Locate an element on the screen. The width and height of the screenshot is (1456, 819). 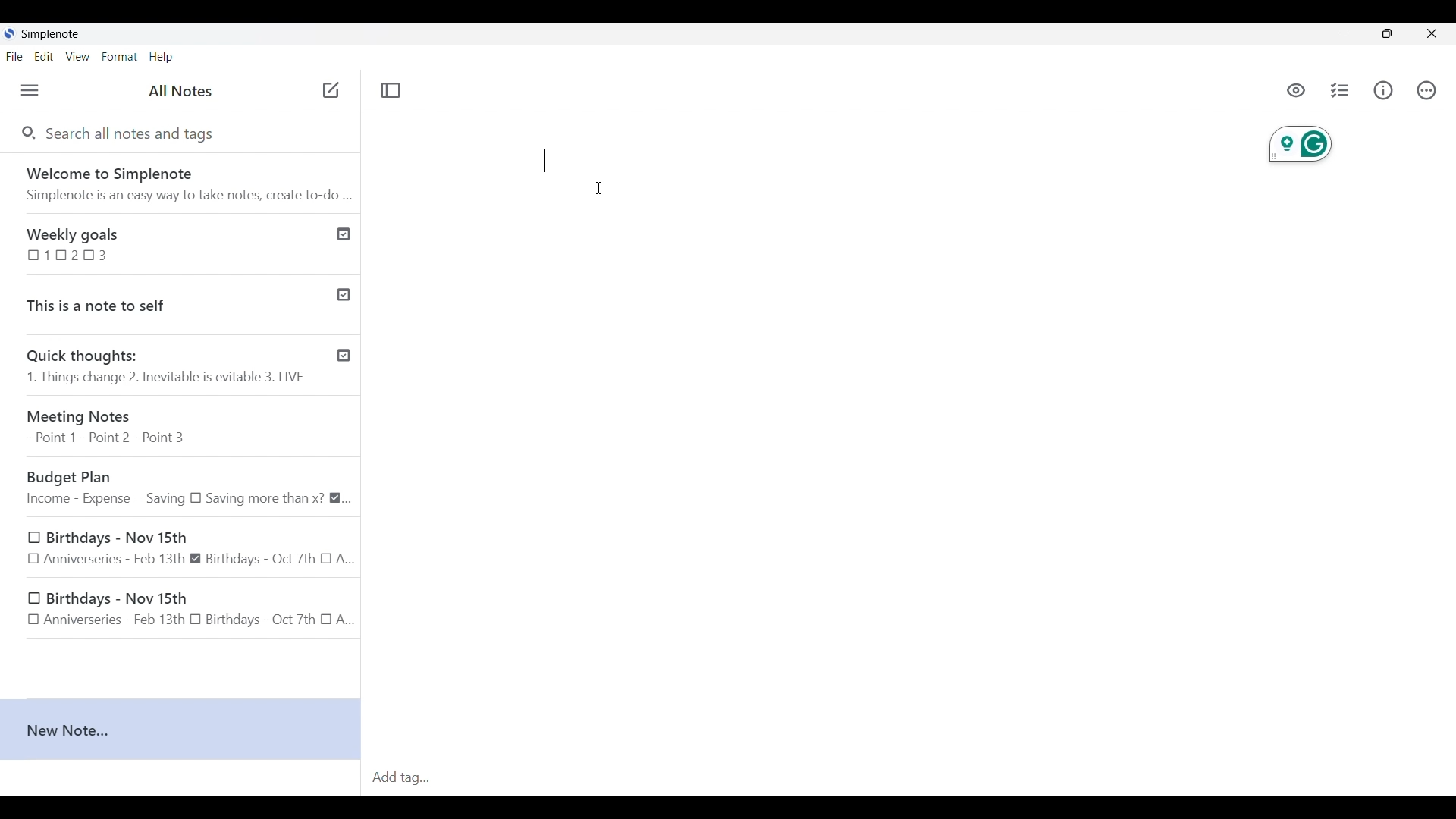
Software name is located at coordinates (50, 34).